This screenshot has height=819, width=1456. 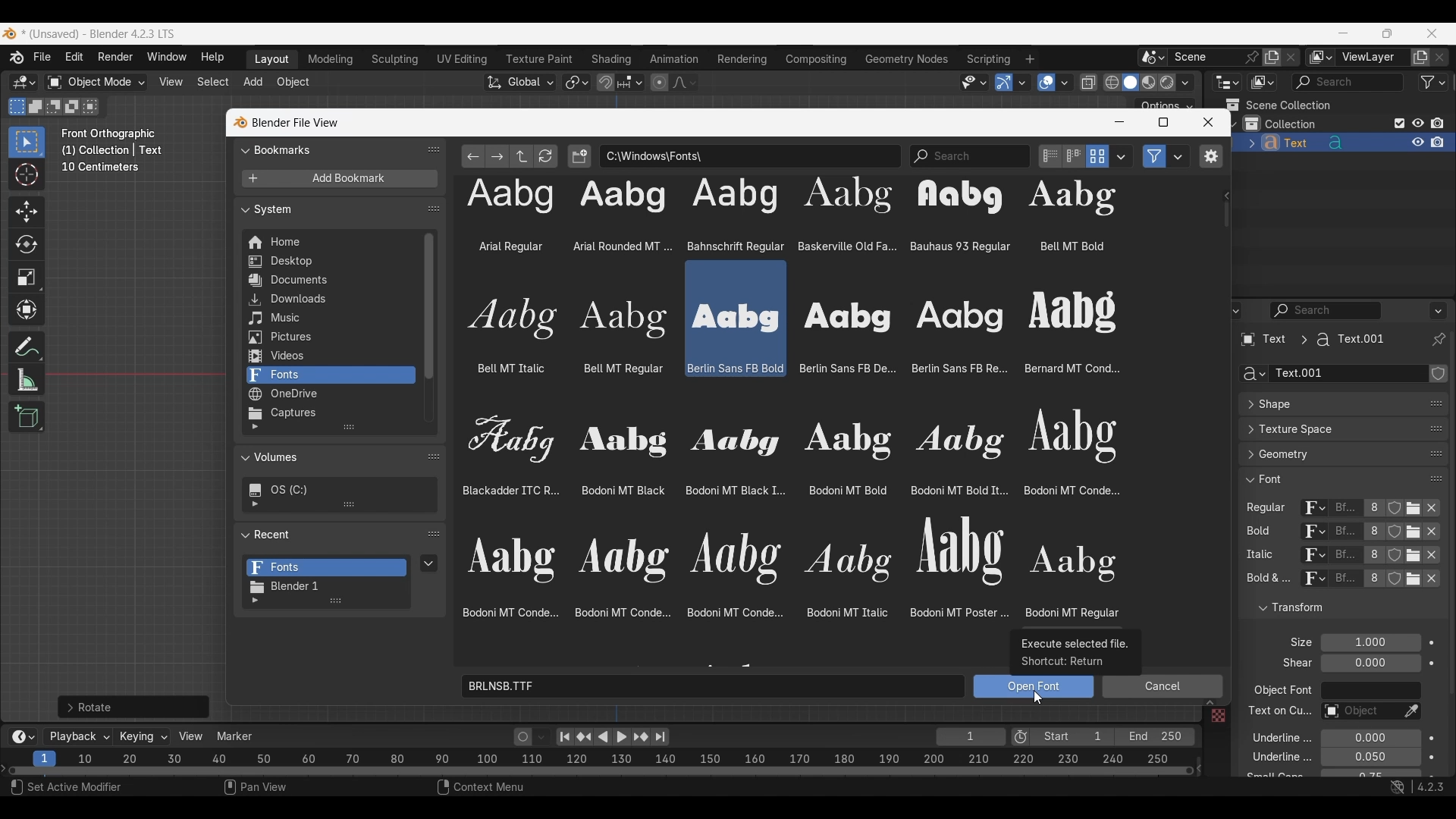 I want to click on Parent directory, so click(x=522, y=156).